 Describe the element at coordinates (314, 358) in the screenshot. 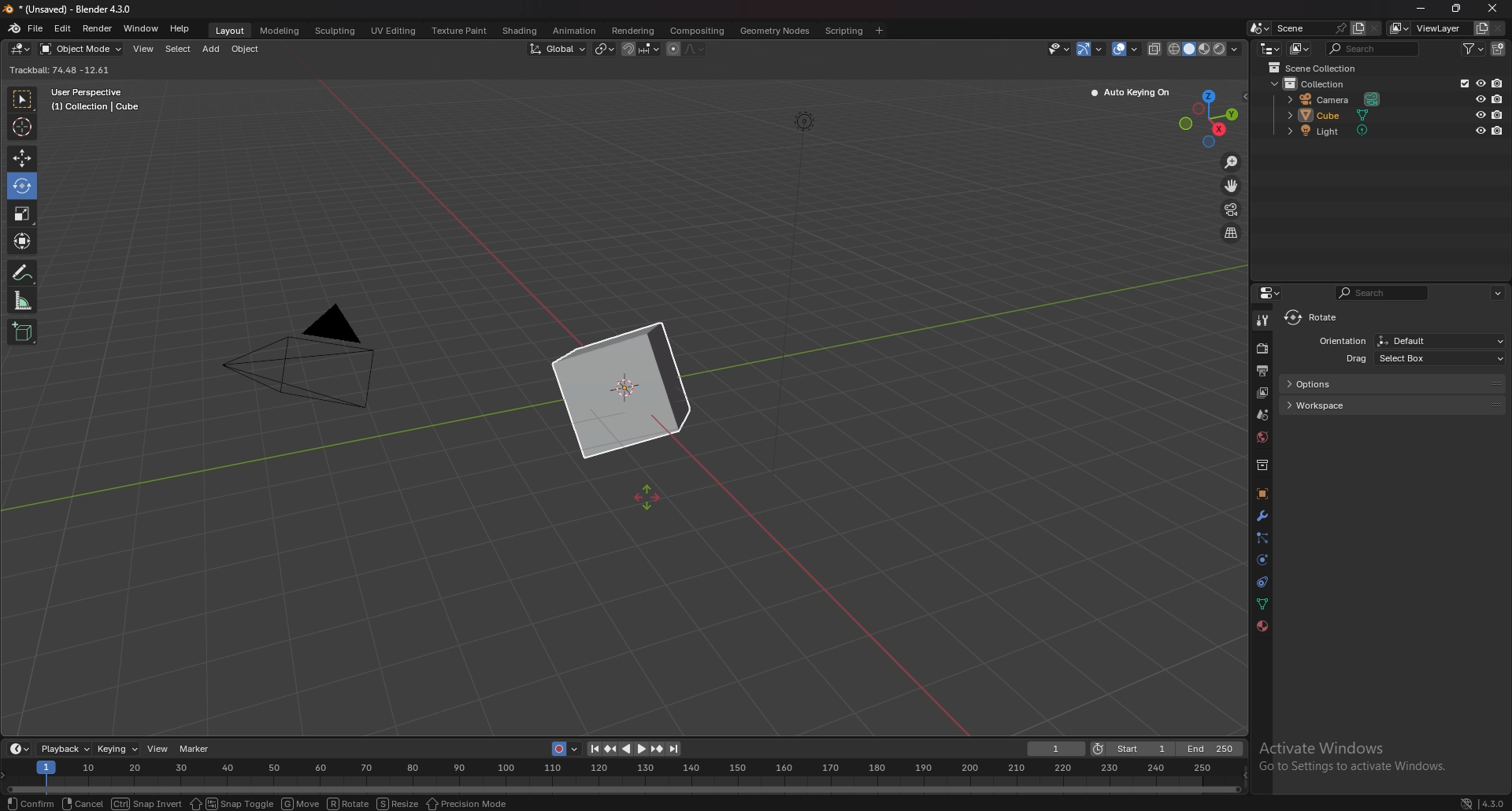

I see `camera` at that location.